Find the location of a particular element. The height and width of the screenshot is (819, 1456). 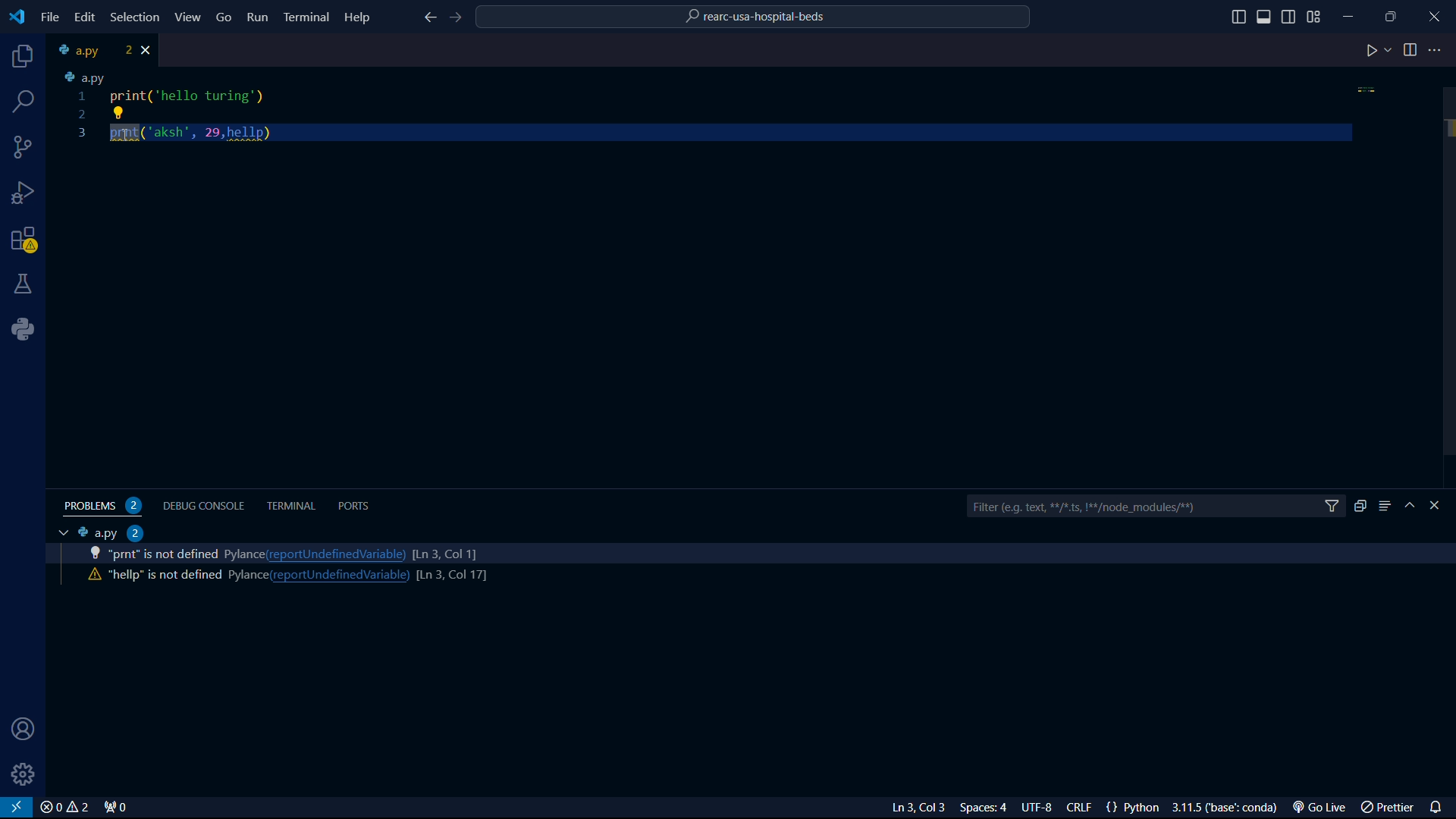

maximize is located at coordinates (1393, 16).